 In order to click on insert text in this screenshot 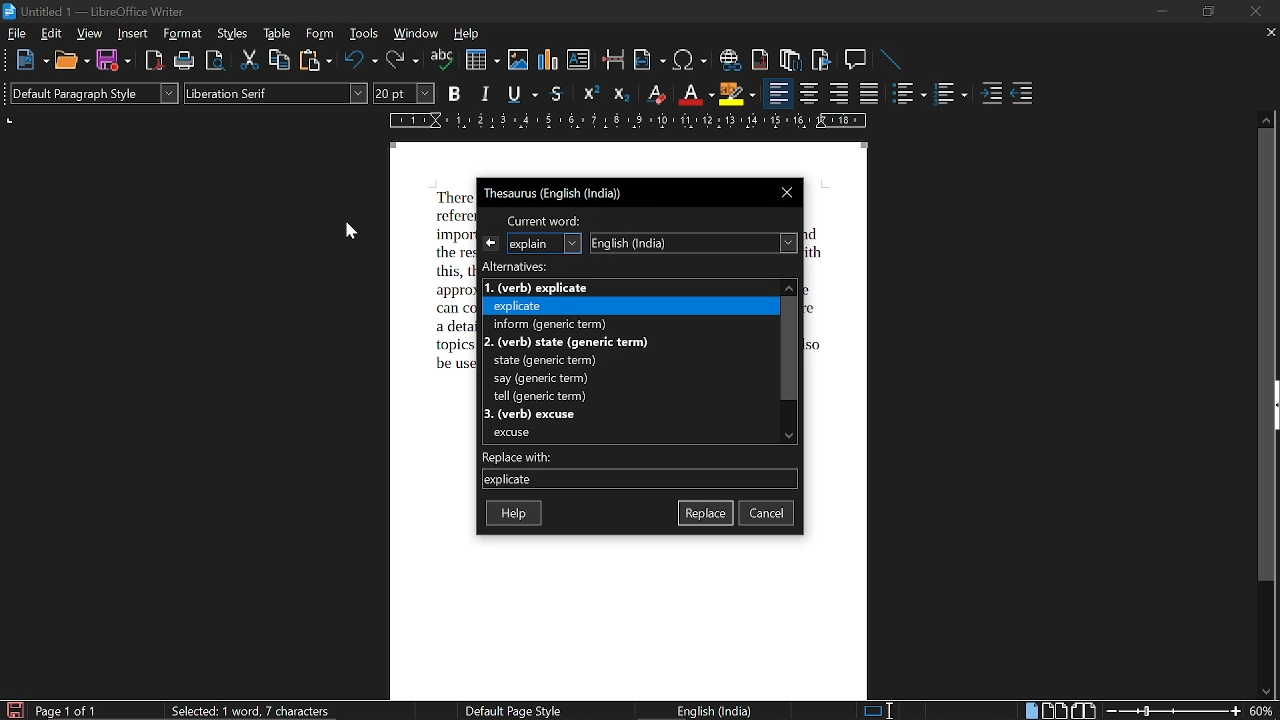, I will do `click(578, 60)`.